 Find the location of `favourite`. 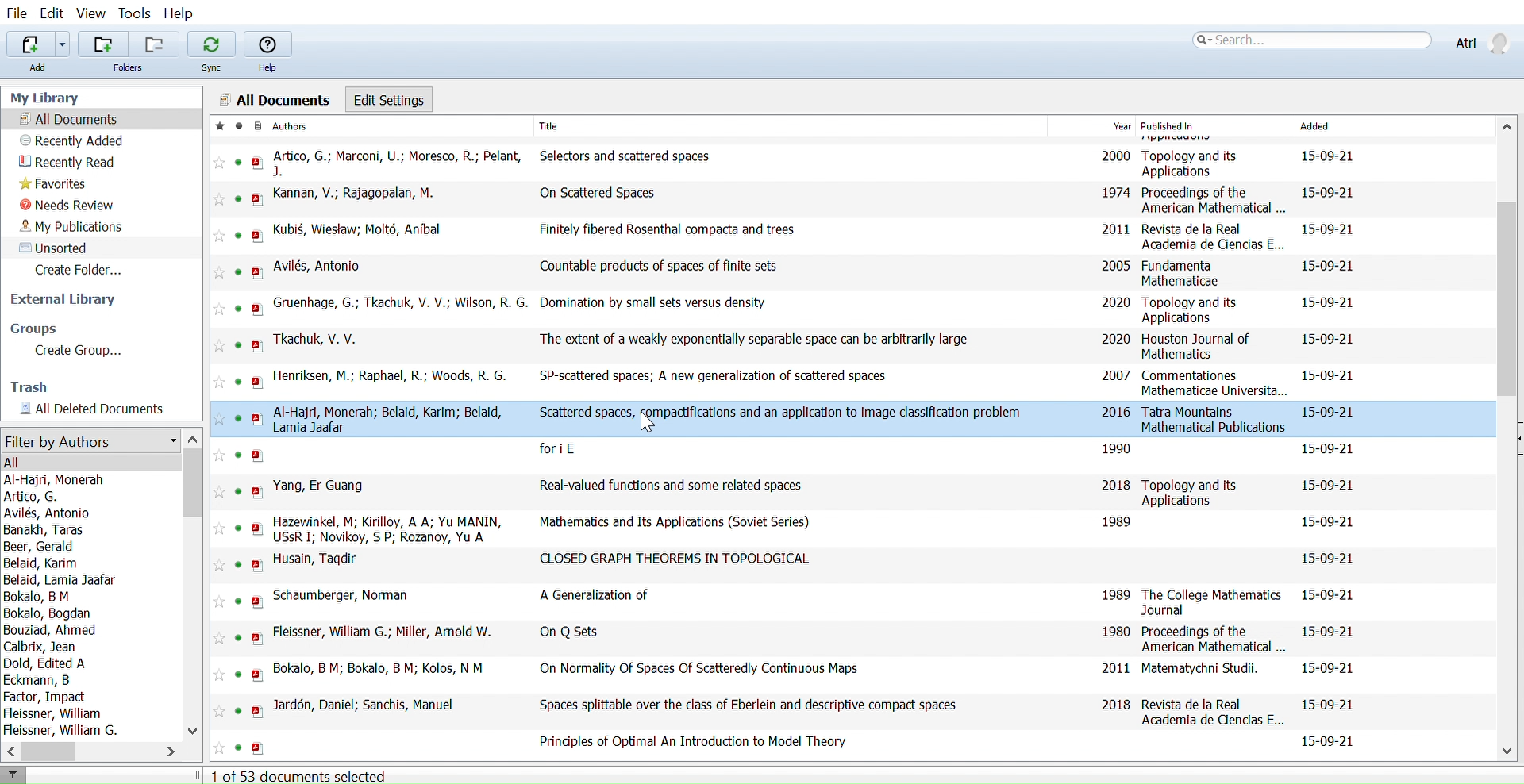

favourite is located at coordinates (218, 235).